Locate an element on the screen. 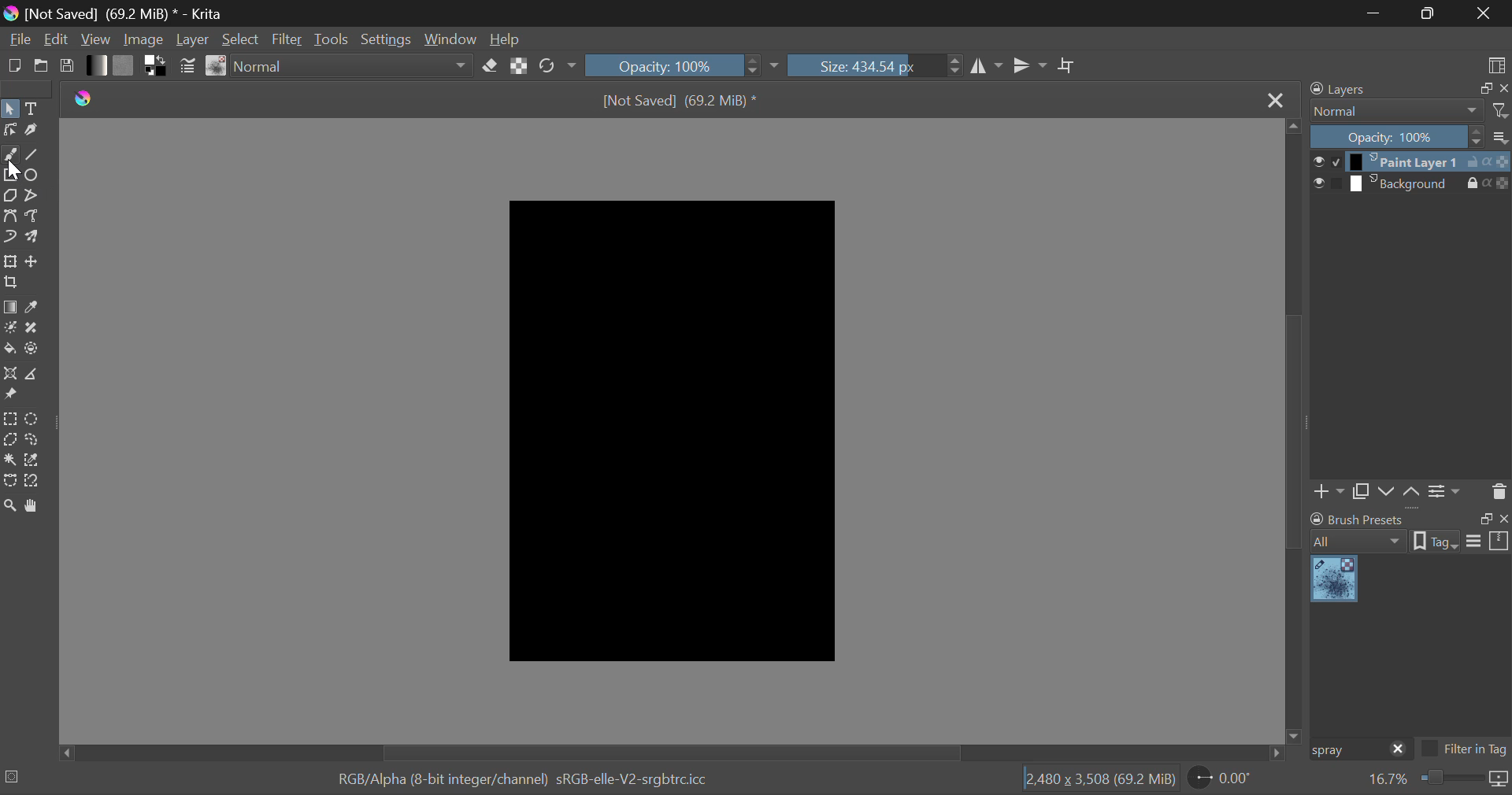  Image is located at coordinates (148, 38).